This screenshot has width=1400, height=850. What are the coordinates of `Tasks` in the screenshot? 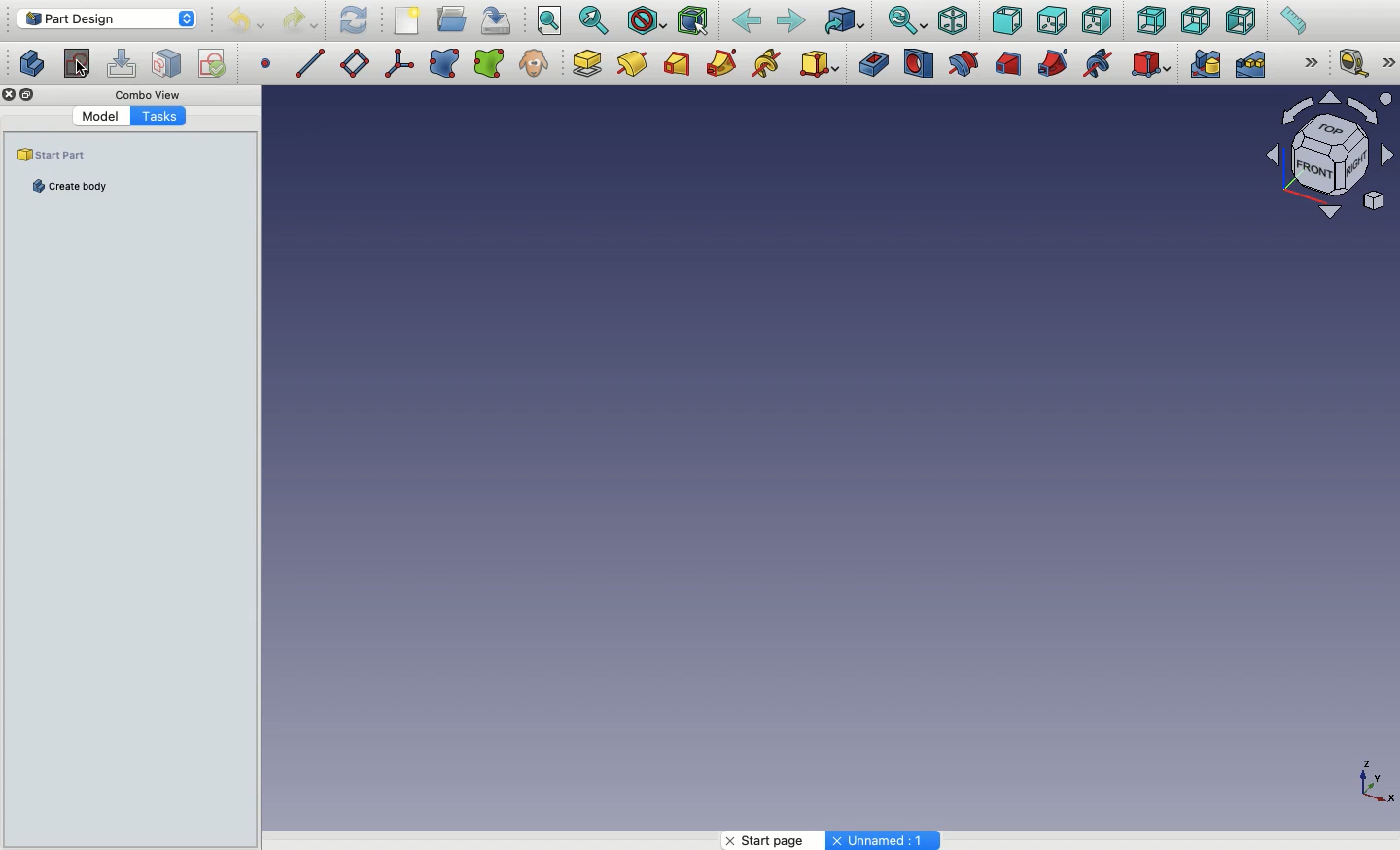 It's located at (160, 116).